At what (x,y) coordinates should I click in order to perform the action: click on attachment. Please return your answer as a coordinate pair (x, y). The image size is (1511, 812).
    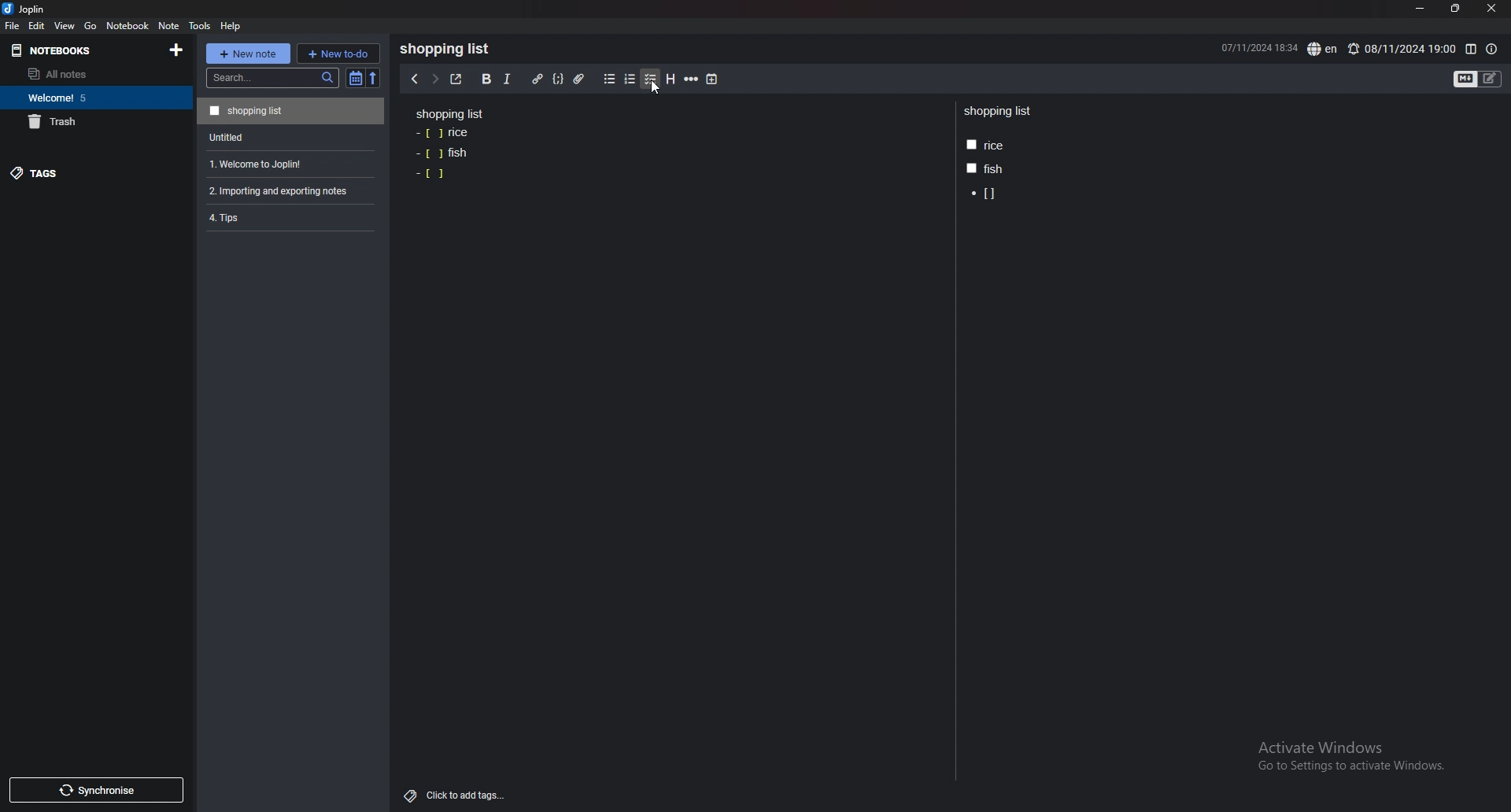
    Looking at the image, I should click on (582, 79).